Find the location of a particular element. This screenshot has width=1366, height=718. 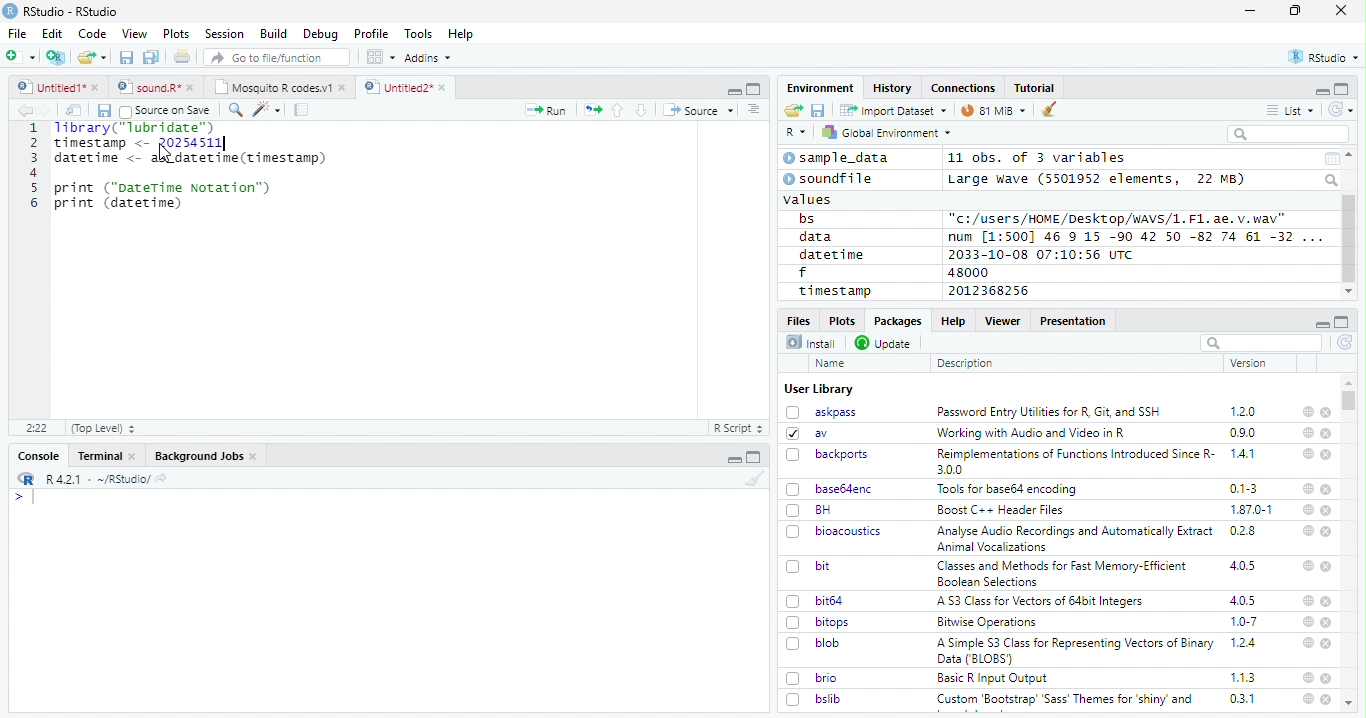

Build is located at coordinates (273, 34).